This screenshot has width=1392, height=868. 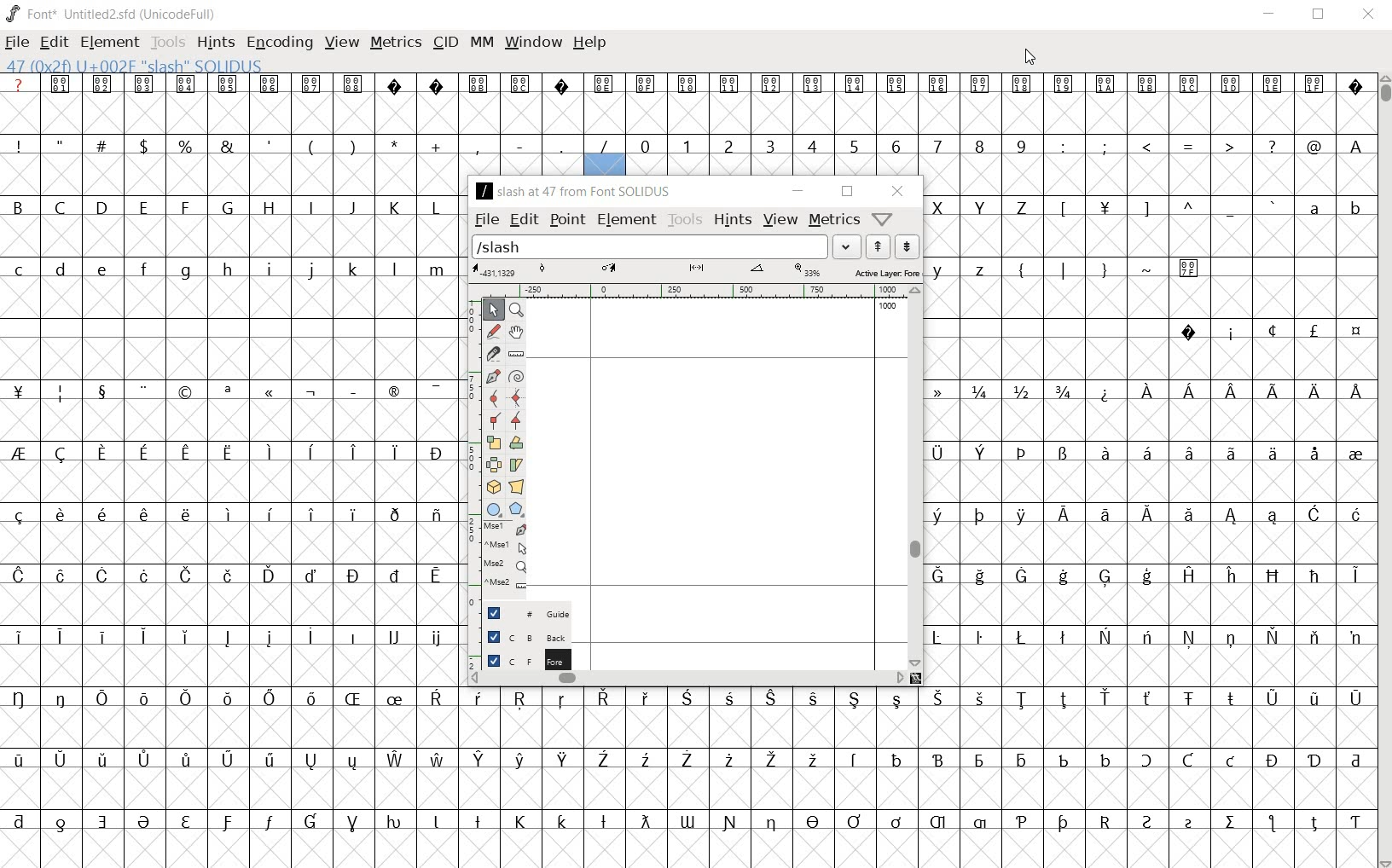 What do you see at coordinates (235, 454) in the screenshot?
I see `special letters` at bounding box center [235, 454].